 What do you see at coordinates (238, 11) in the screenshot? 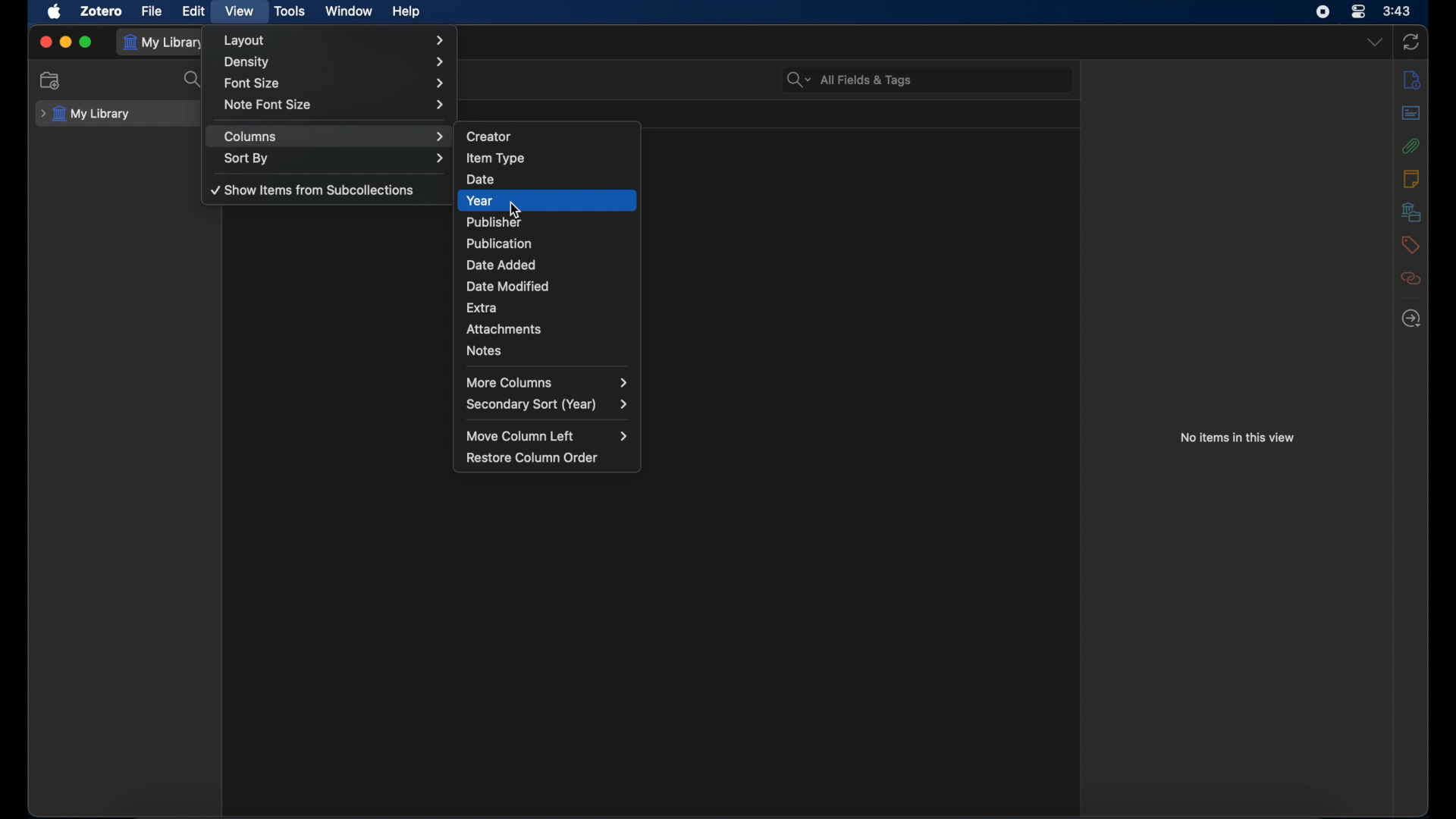
I see `view` at bounding box center [238, 11].